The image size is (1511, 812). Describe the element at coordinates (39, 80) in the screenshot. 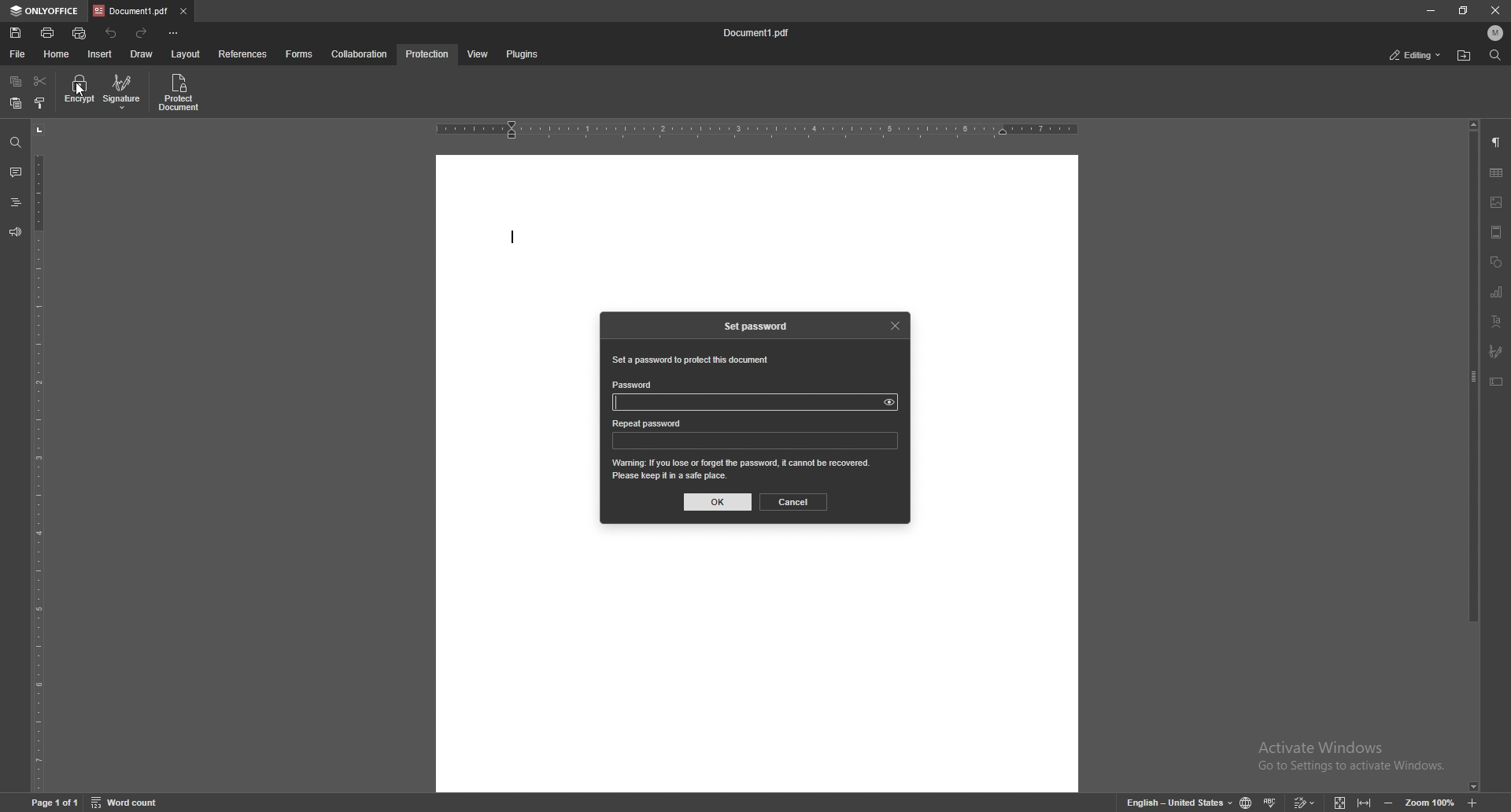

I see `cut` at that location.